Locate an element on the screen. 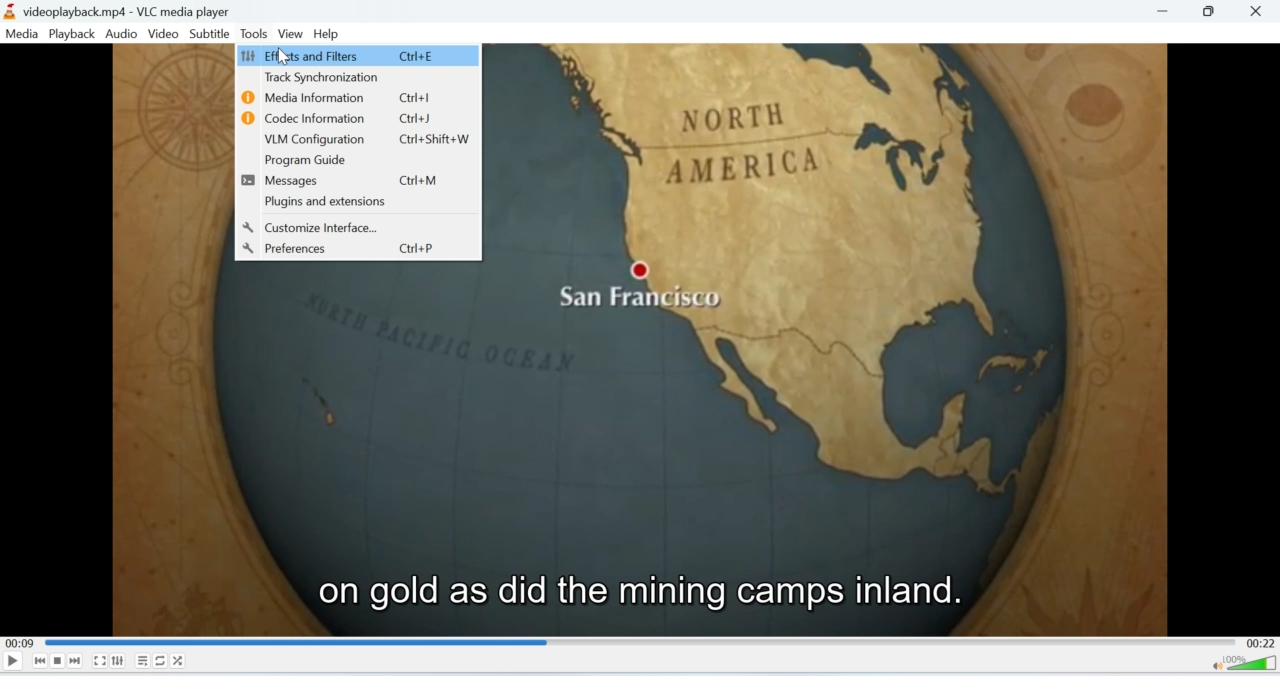 The height and width of the screenshot is (676, 1280). Track Synchronization is located at coordinates (326, 77).